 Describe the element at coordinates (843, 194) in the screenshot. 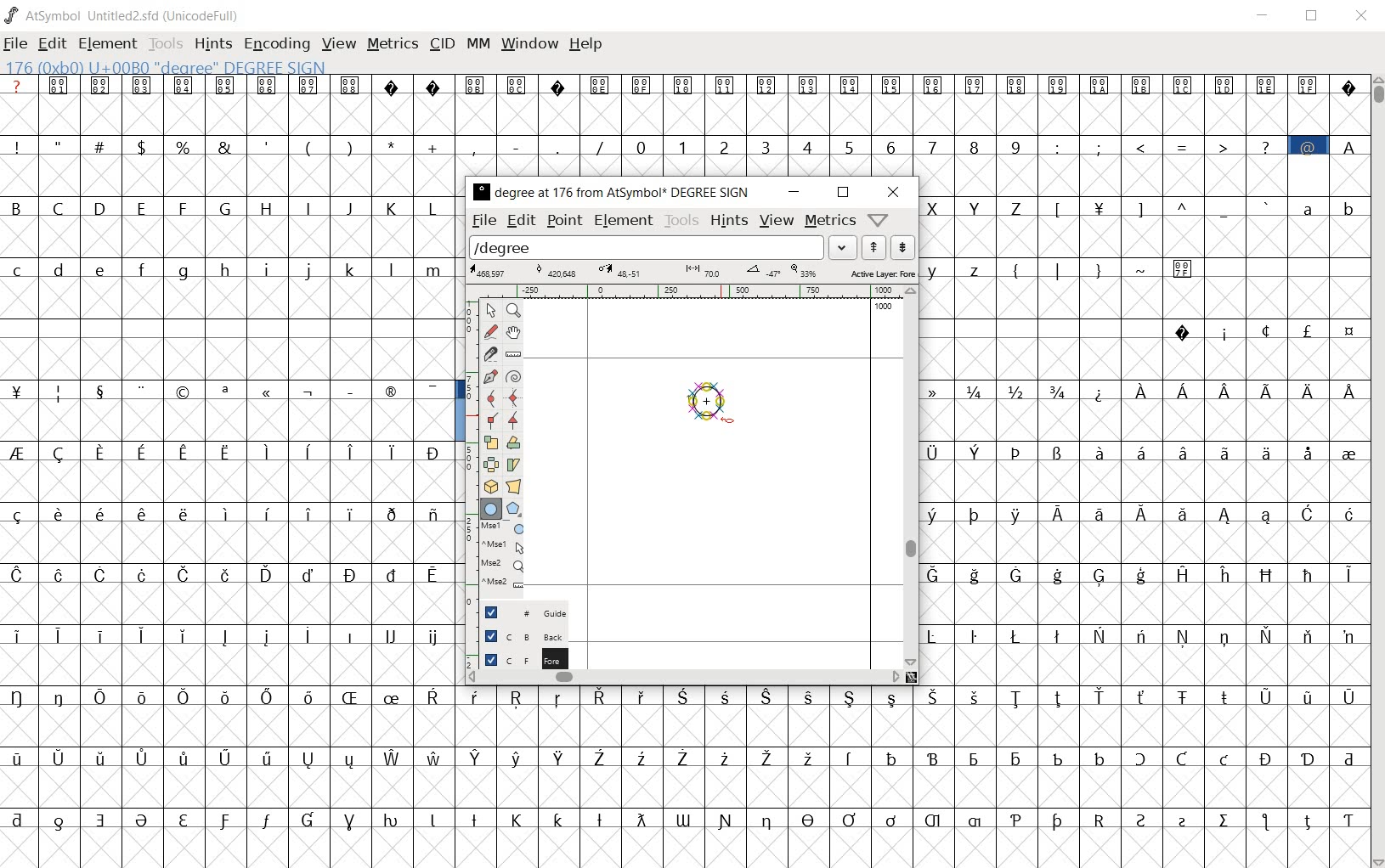

I see `restore down` at that location.